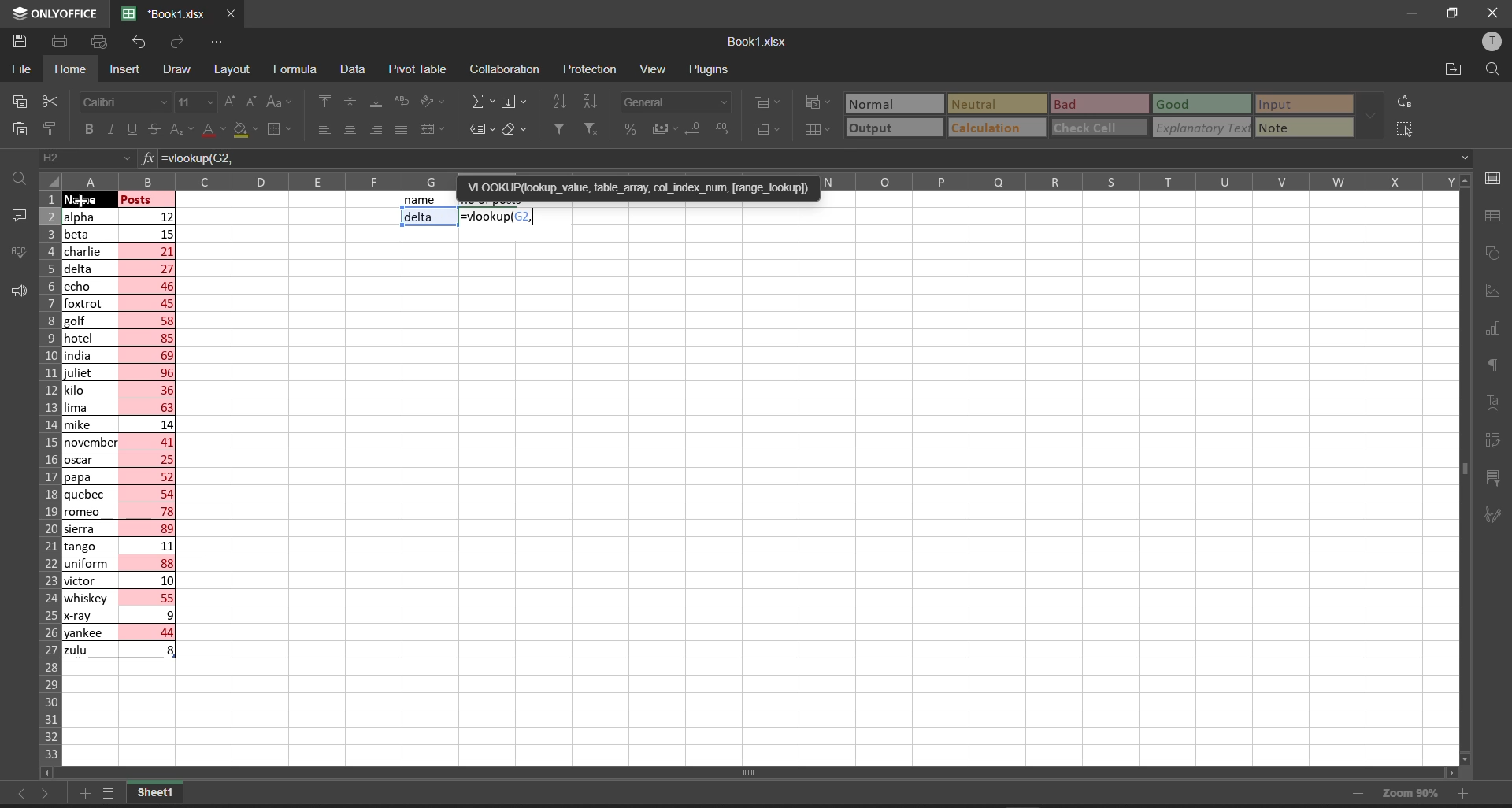  What do you see at coordinates (323, 130) in the screenshot?
I see `align left` at bounding box center [323, 130].